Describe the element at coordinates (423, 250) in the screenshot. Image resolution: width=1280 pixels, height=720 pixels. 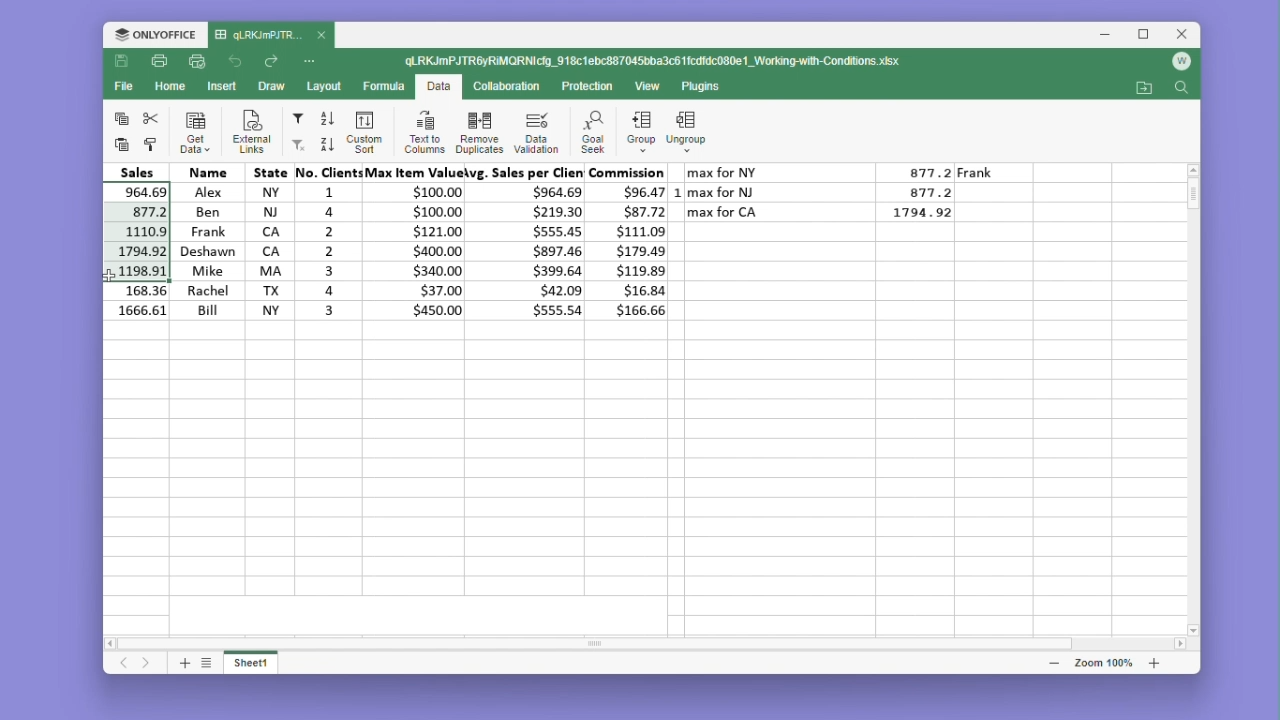
I see `Data` at that location.